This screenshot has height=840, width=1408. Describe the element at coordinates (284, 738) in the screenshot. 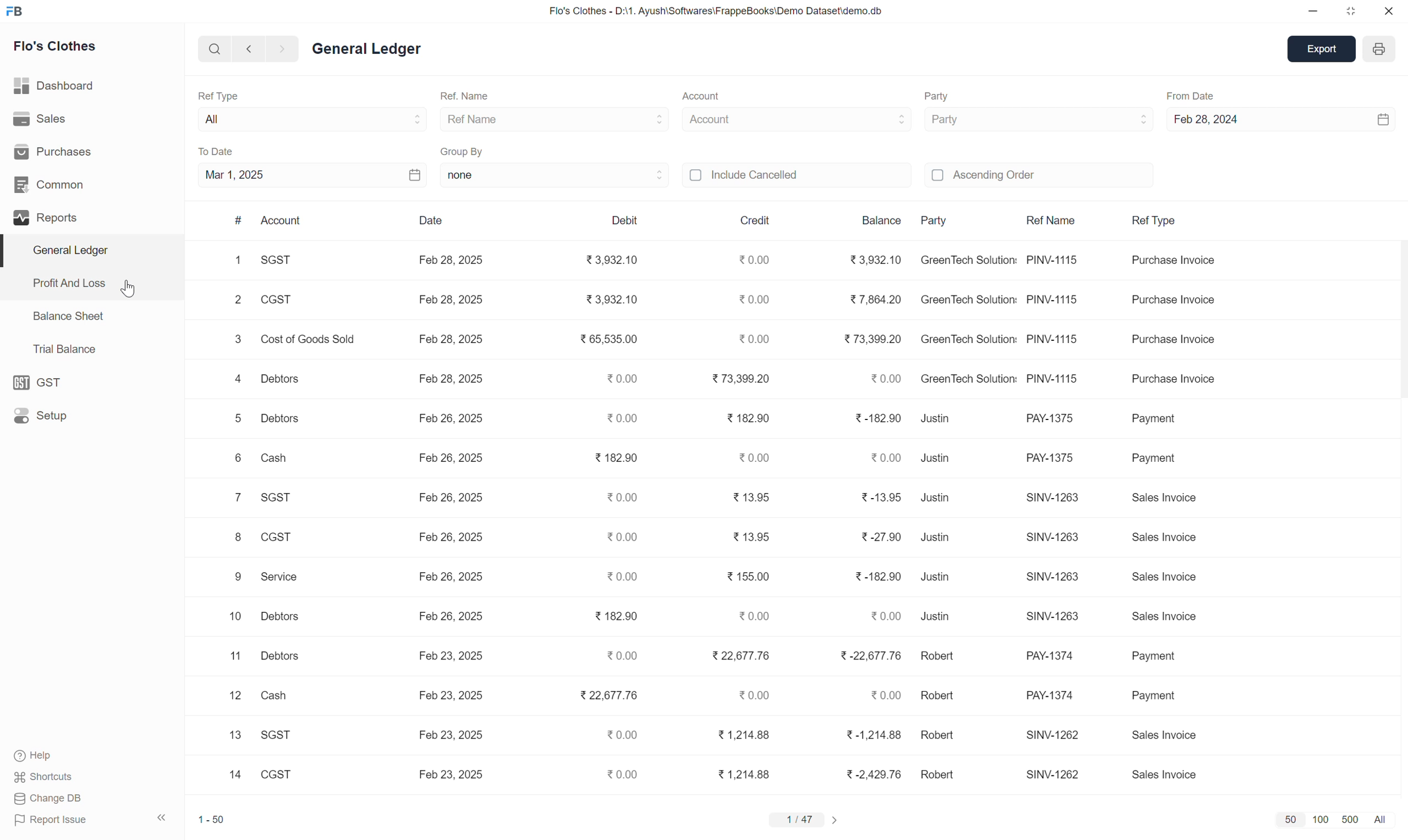

I see `SGST` at that location.